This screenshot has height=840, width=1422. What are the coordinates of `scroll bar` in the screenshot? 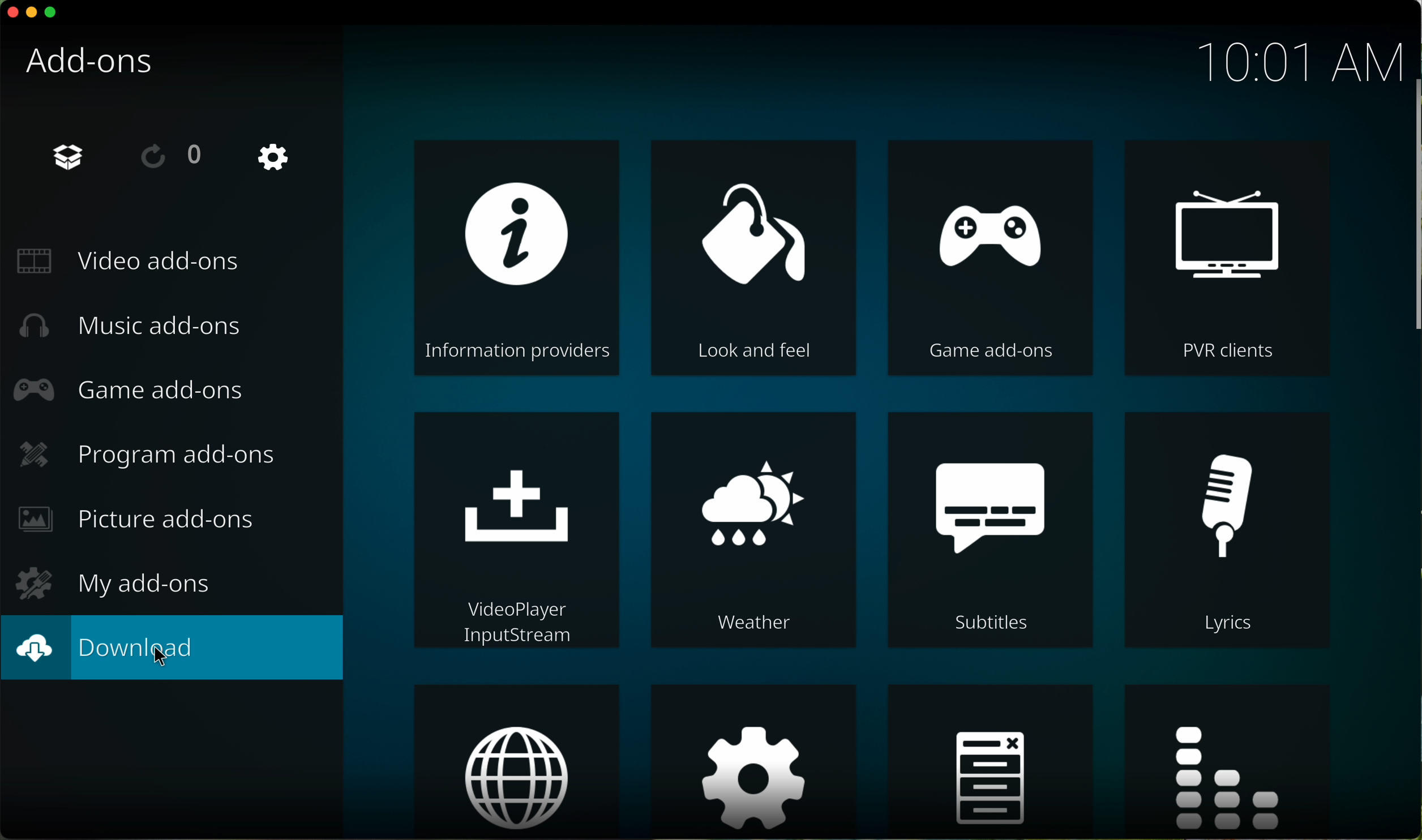 It's located at (1413, 210).